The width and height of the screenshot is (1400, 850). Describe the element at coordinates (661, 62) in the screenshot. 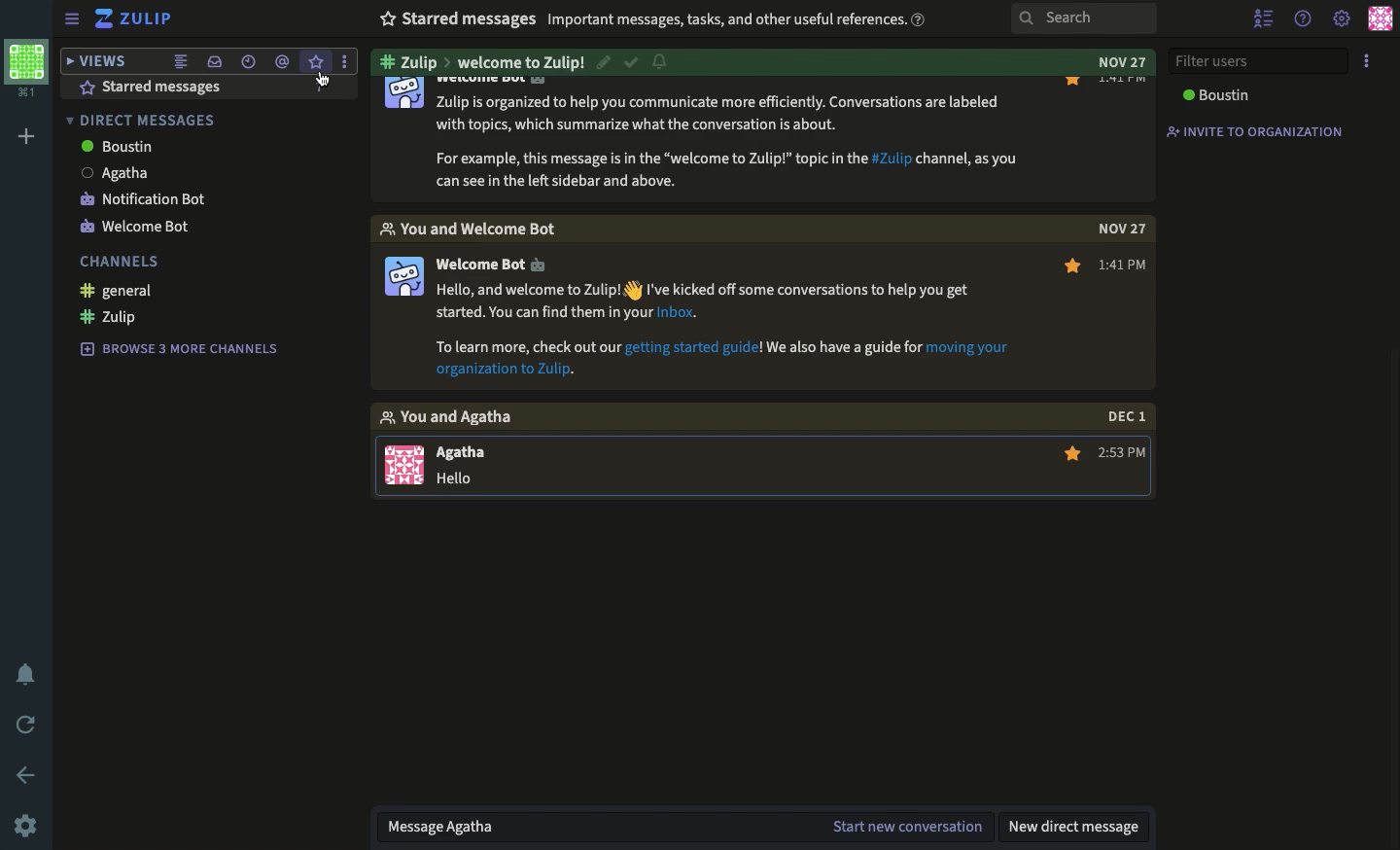

I see `notification` at that location.